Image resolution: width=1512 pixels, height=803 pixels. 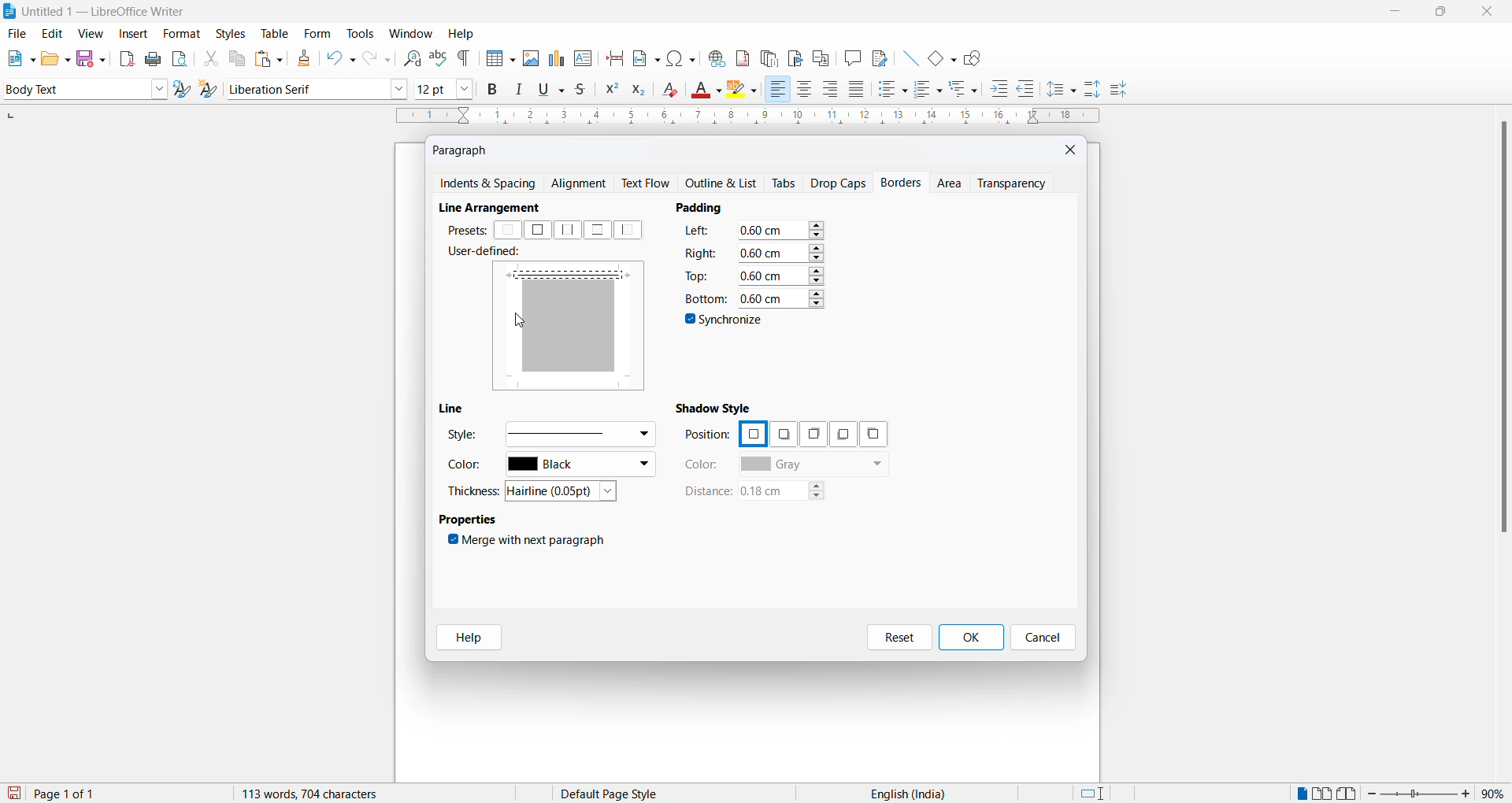 What do you see at coordinates (180, 58) in the screenshot?
I see `print preview` at bounding box center [180, 58].